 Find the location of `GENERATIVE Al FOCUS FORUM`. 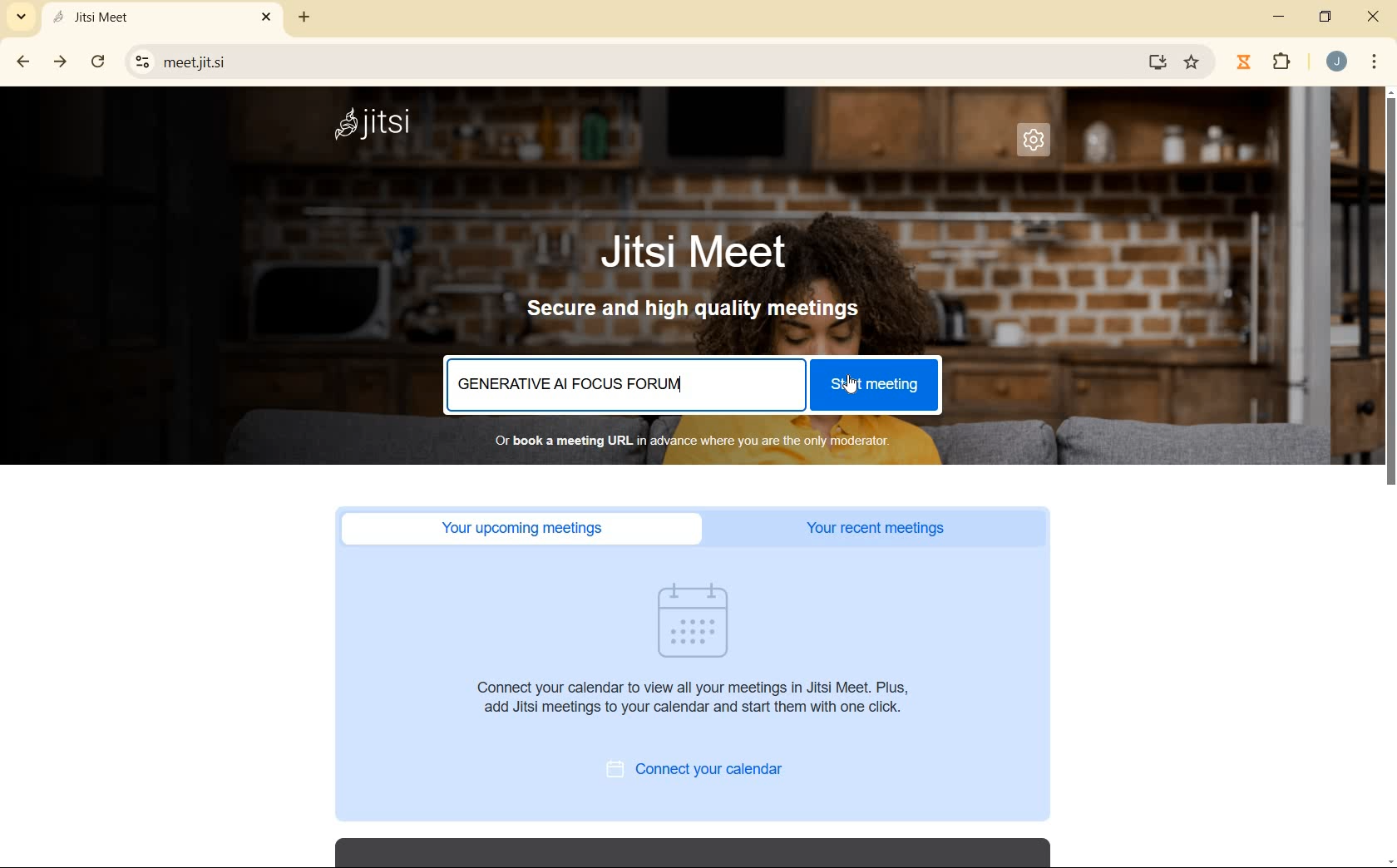

GENERATIVE Al FOCUS FORUM is located at coordinates (579, 386).